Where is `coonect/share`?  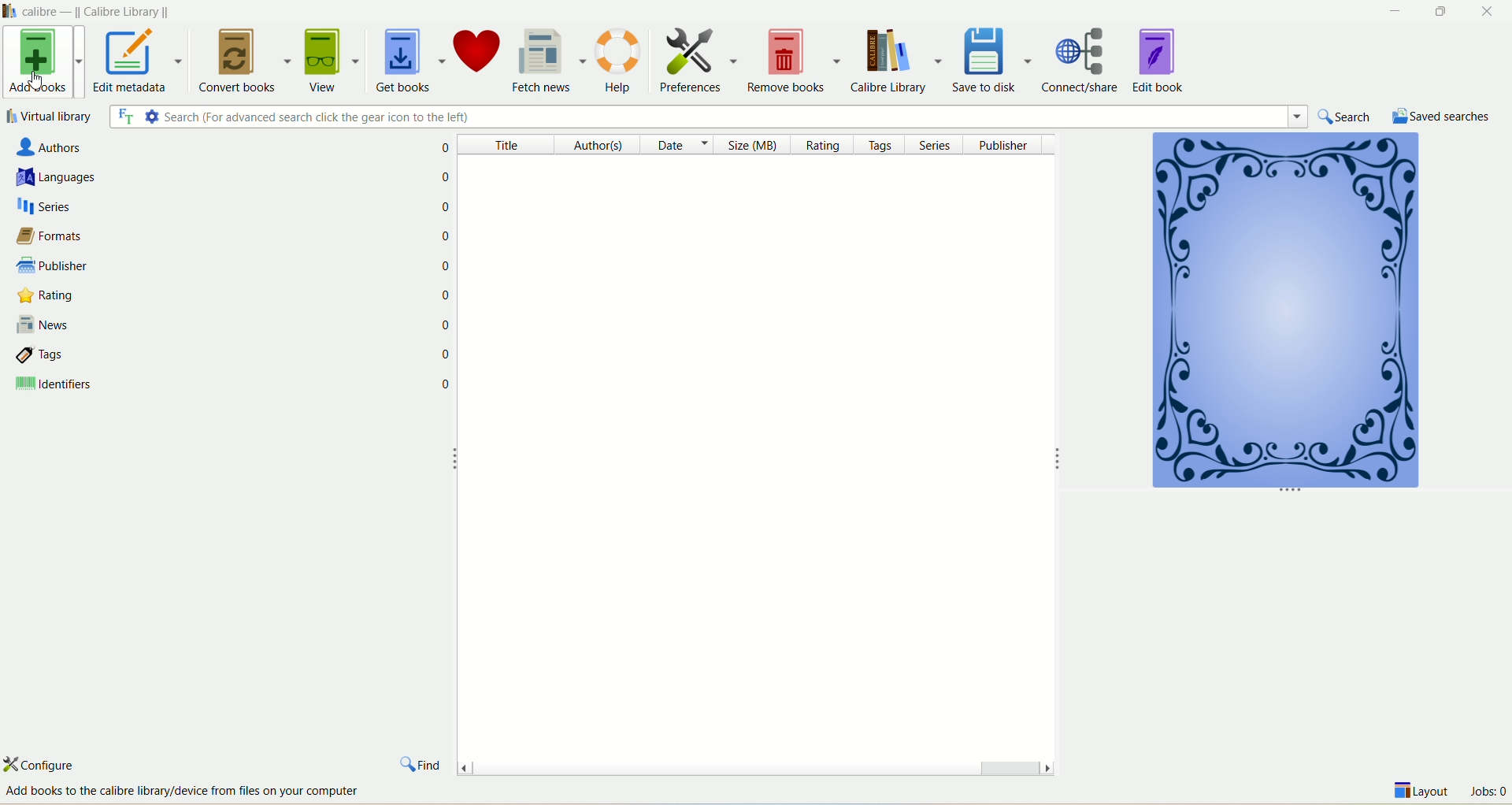
coonect/share is located at coordinates (1085, 58).